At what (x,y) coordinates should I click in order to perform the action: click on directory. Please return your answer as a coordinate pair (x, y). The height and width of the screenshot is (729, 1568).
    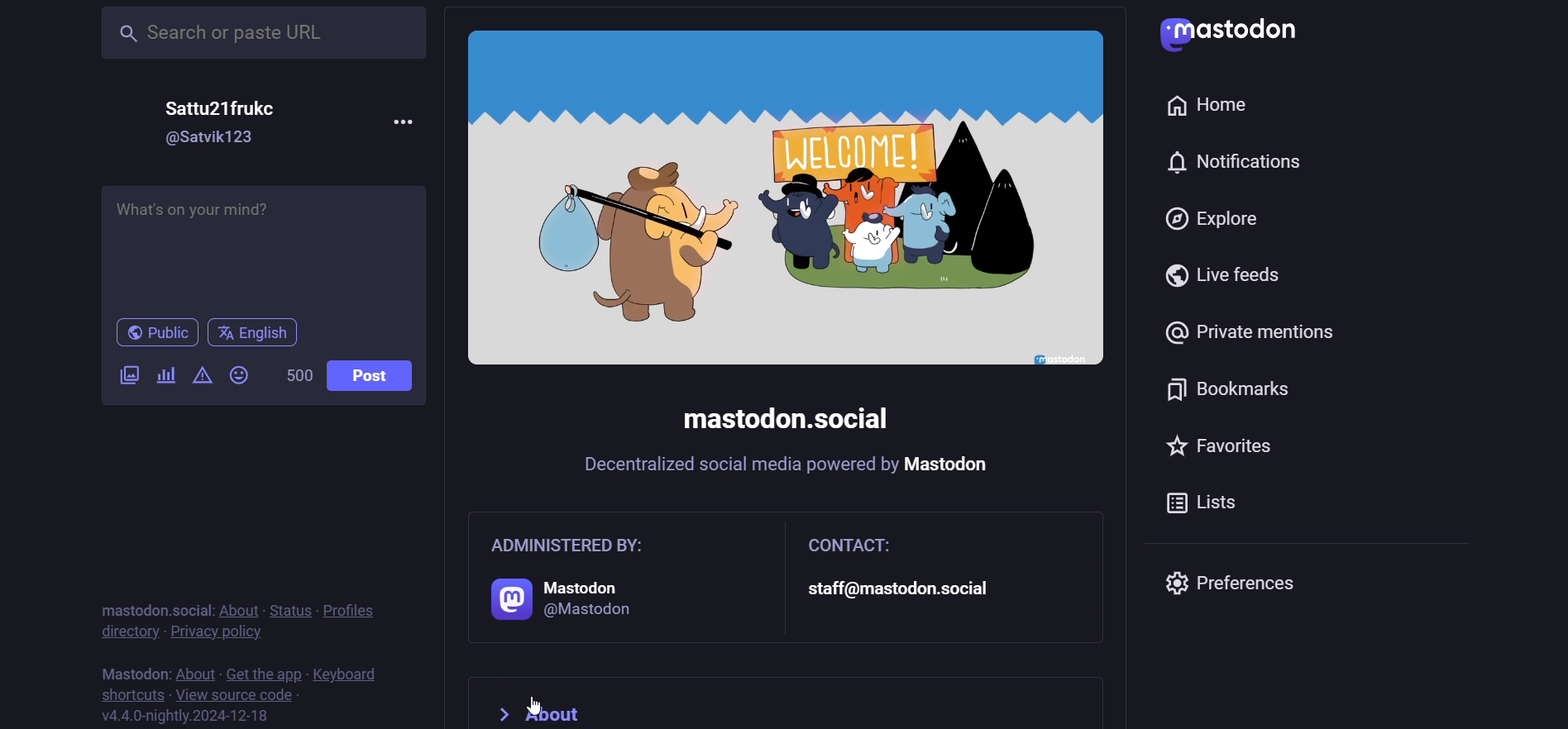
    Looking at the image, I should click on (126, 631).